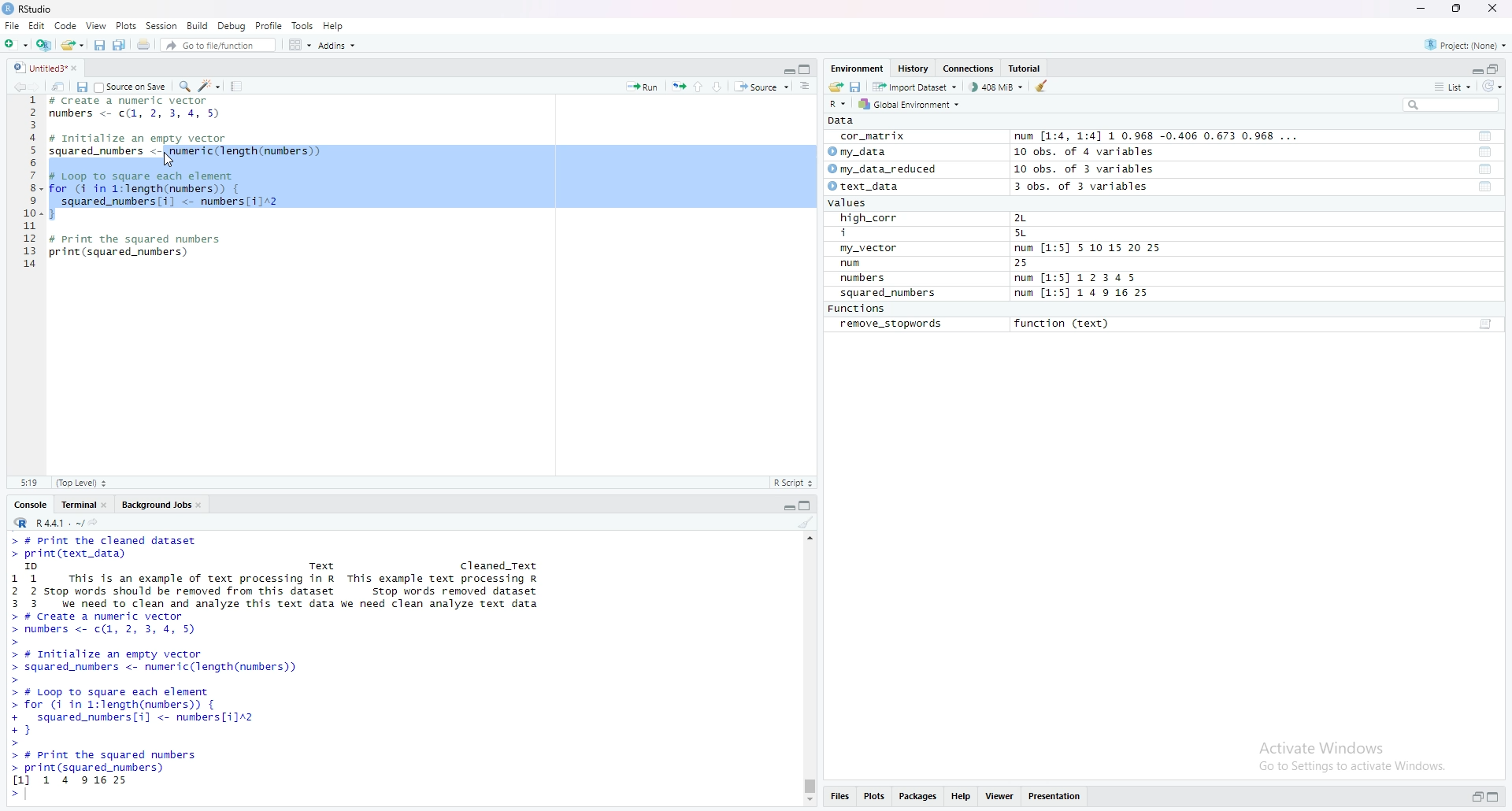 Image resolution: width=1512 pixels, height=811 pixels. I want to click on re-run previous code region, so click(678, 85).